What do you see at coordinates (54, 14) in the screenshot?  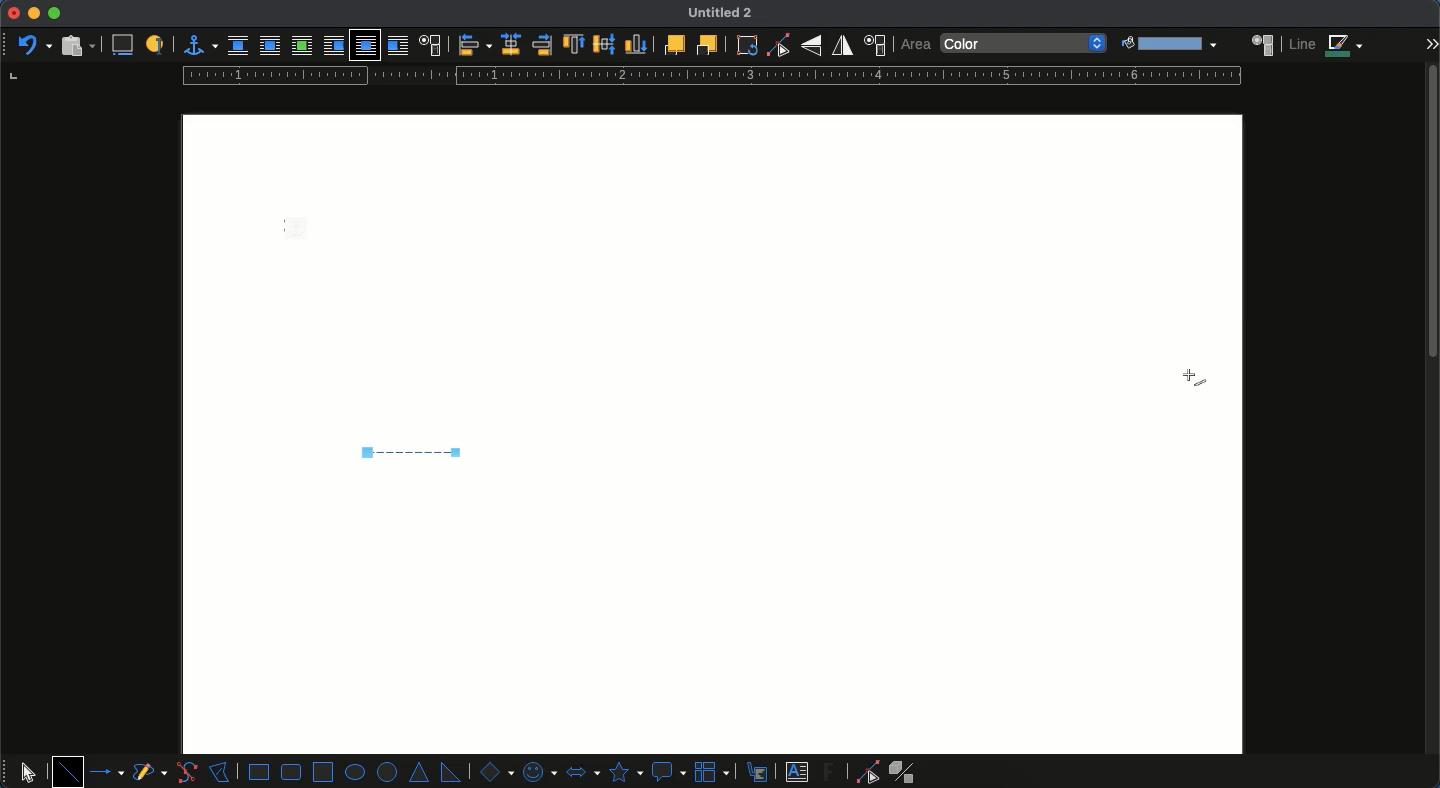 I see `maximize` at bounding box center [54, 14].